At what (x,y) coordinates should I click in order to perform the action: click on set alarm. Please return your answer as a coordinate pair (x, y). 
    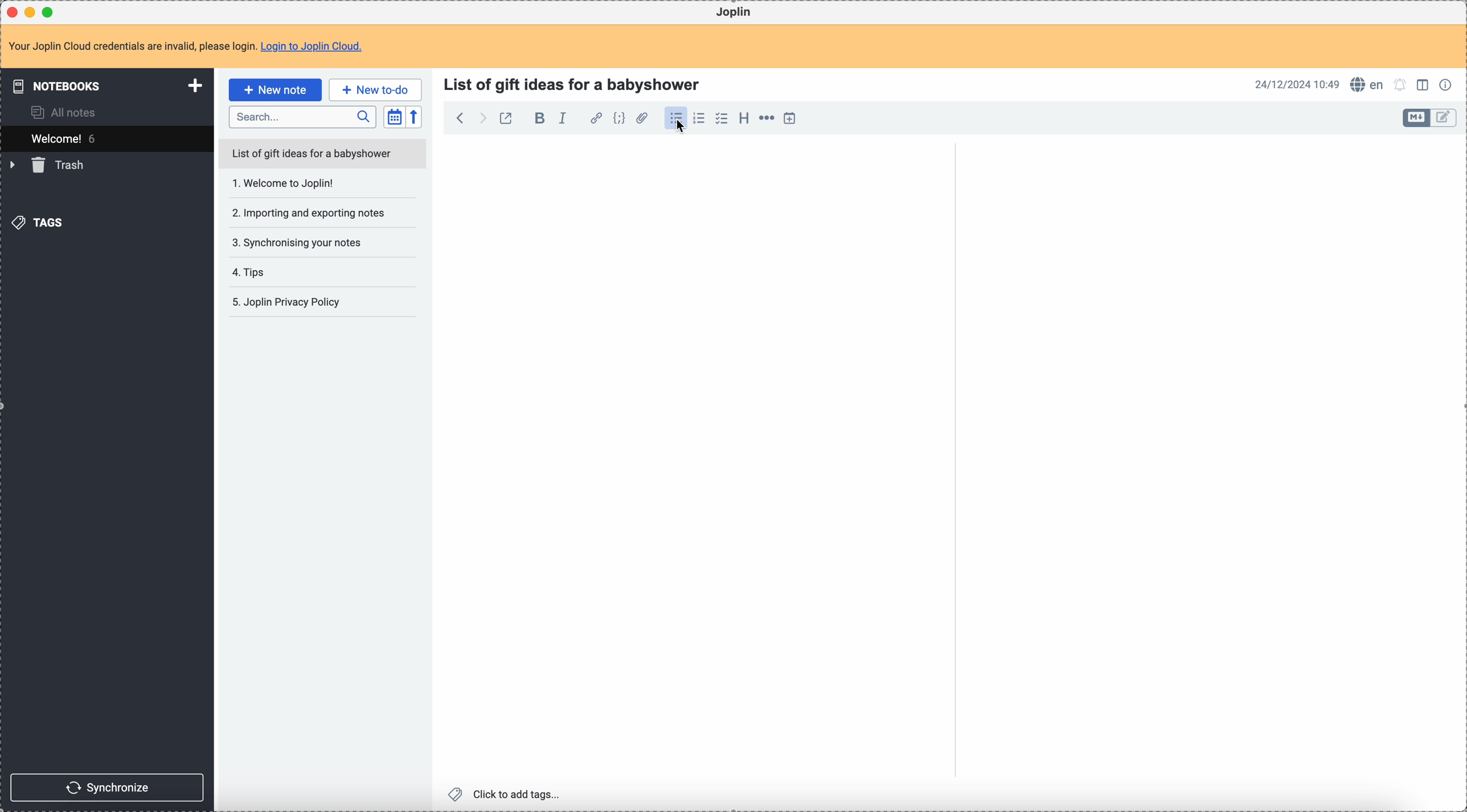
    Looking at the image, I should click on (1400, 85).